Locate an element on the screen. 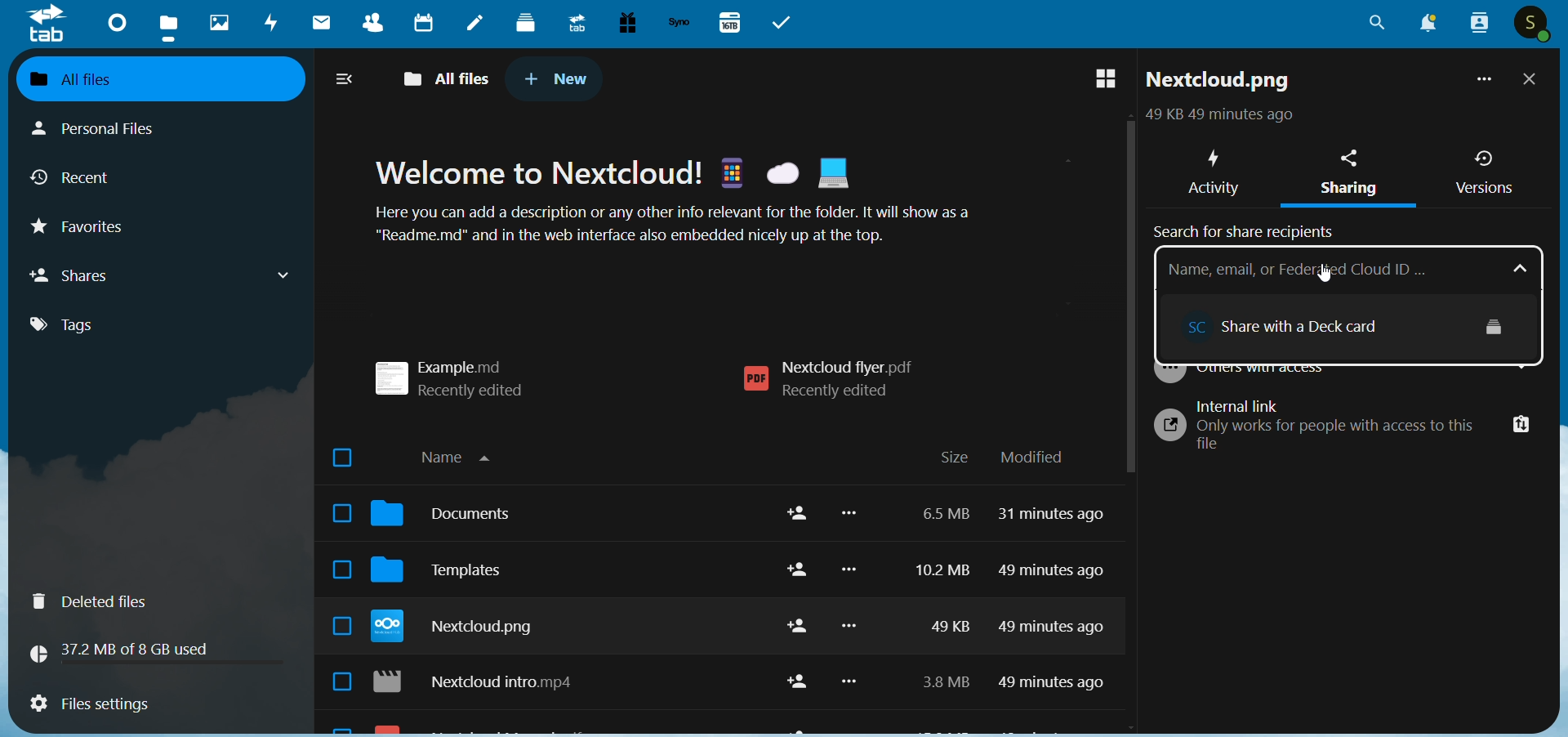 This screenshot has width=1568, height=737. activity is located at coordinates (273, 25).